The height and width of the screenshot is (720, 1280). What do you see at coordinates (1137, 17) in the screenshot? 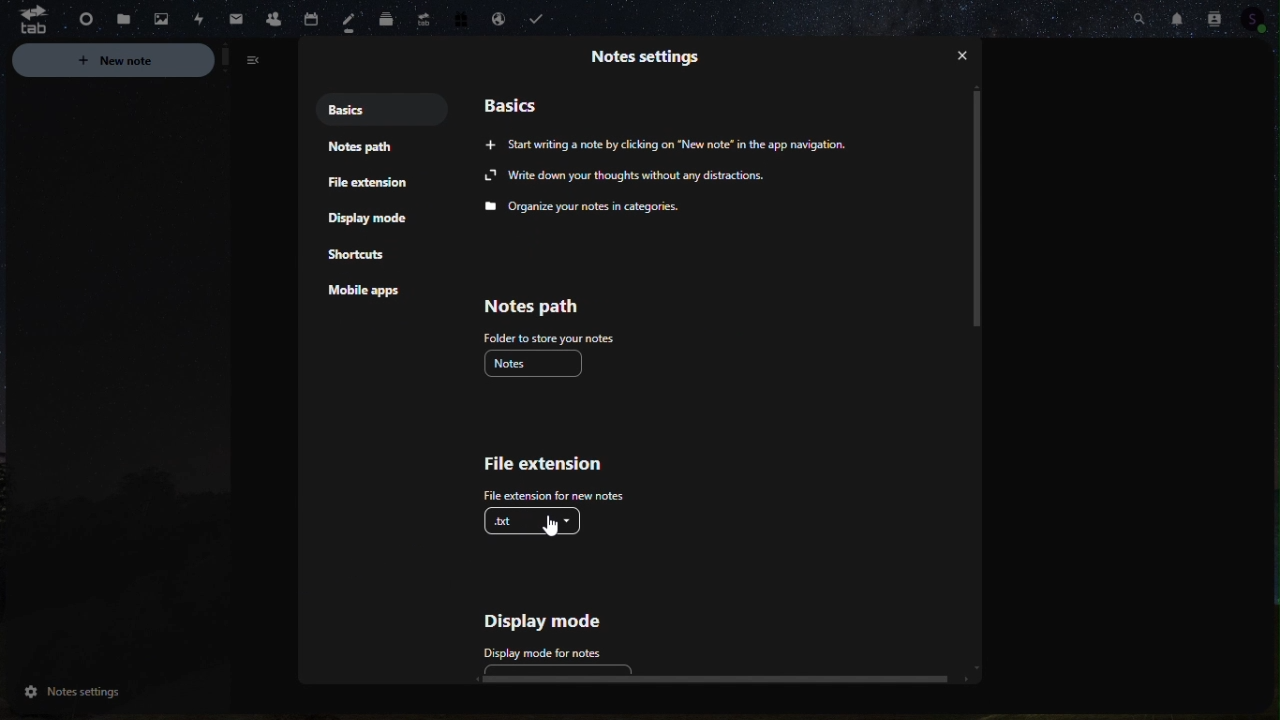
I see `Search bar` at bounding box center [1137, 17].